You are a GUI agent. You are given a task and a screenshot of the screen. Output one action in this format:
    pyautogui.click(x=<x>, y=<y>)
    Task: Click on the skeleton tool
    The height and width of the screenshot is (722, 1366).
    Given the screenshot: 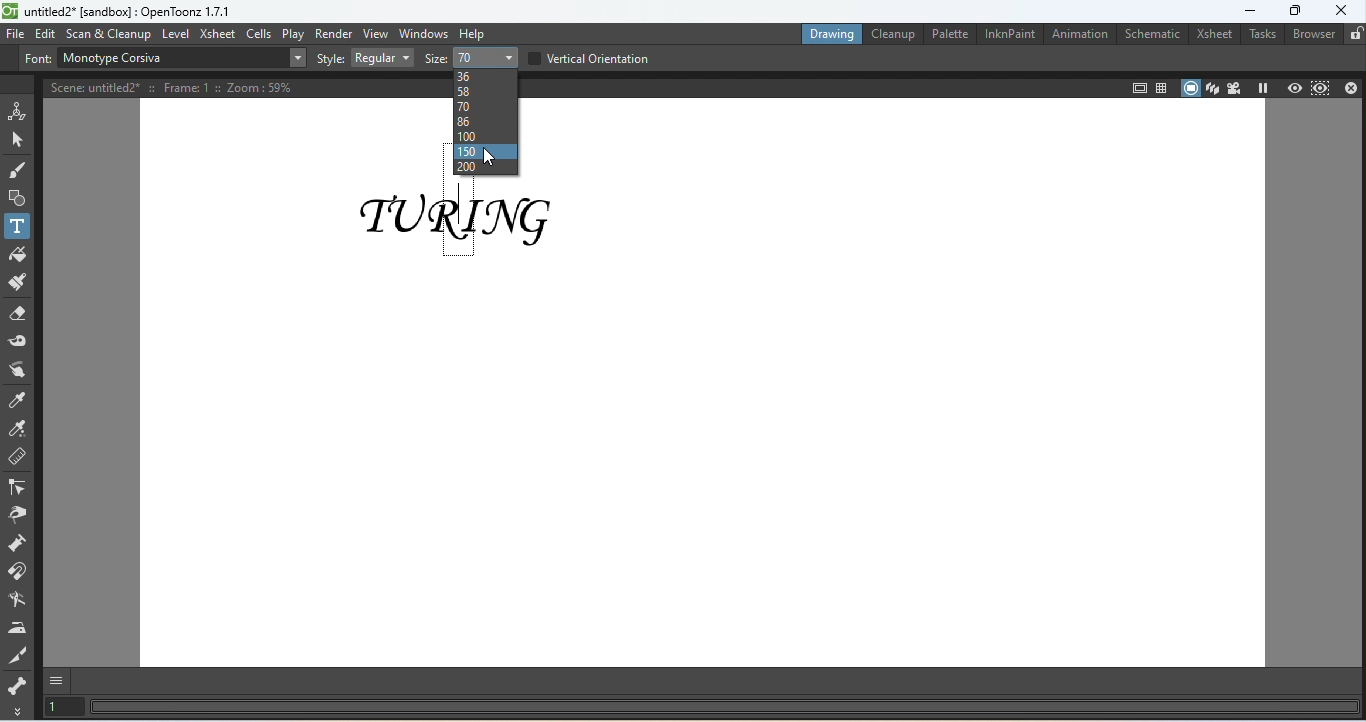 What is the action you would take?
    pyautogui.click(x=17, y=684)
    